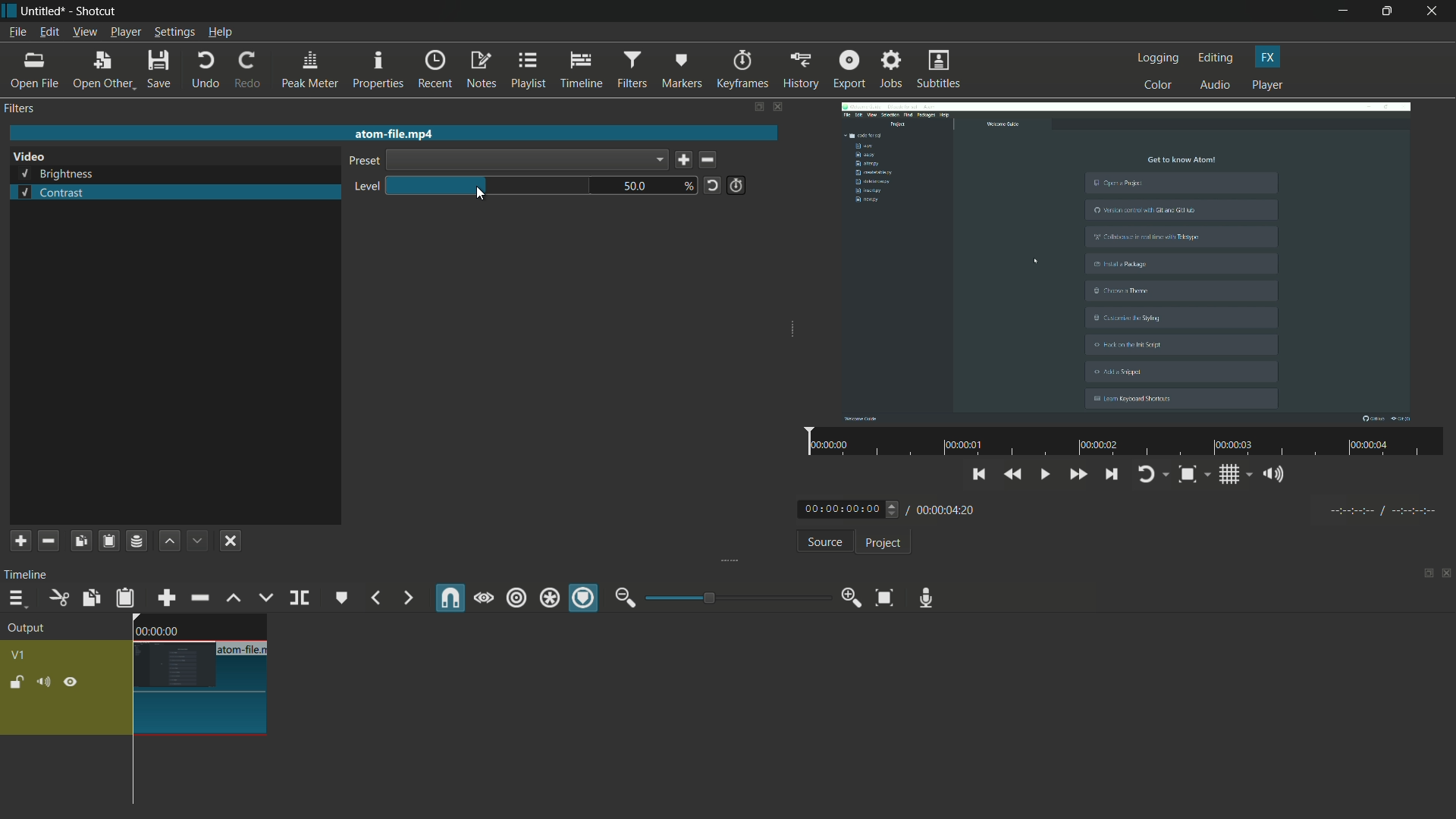 The height and width of the screenshot is (819, 1456). Describe the element at coordinates (884, 597) in the screenshot. I see `zoom timeline to fit` at that location.